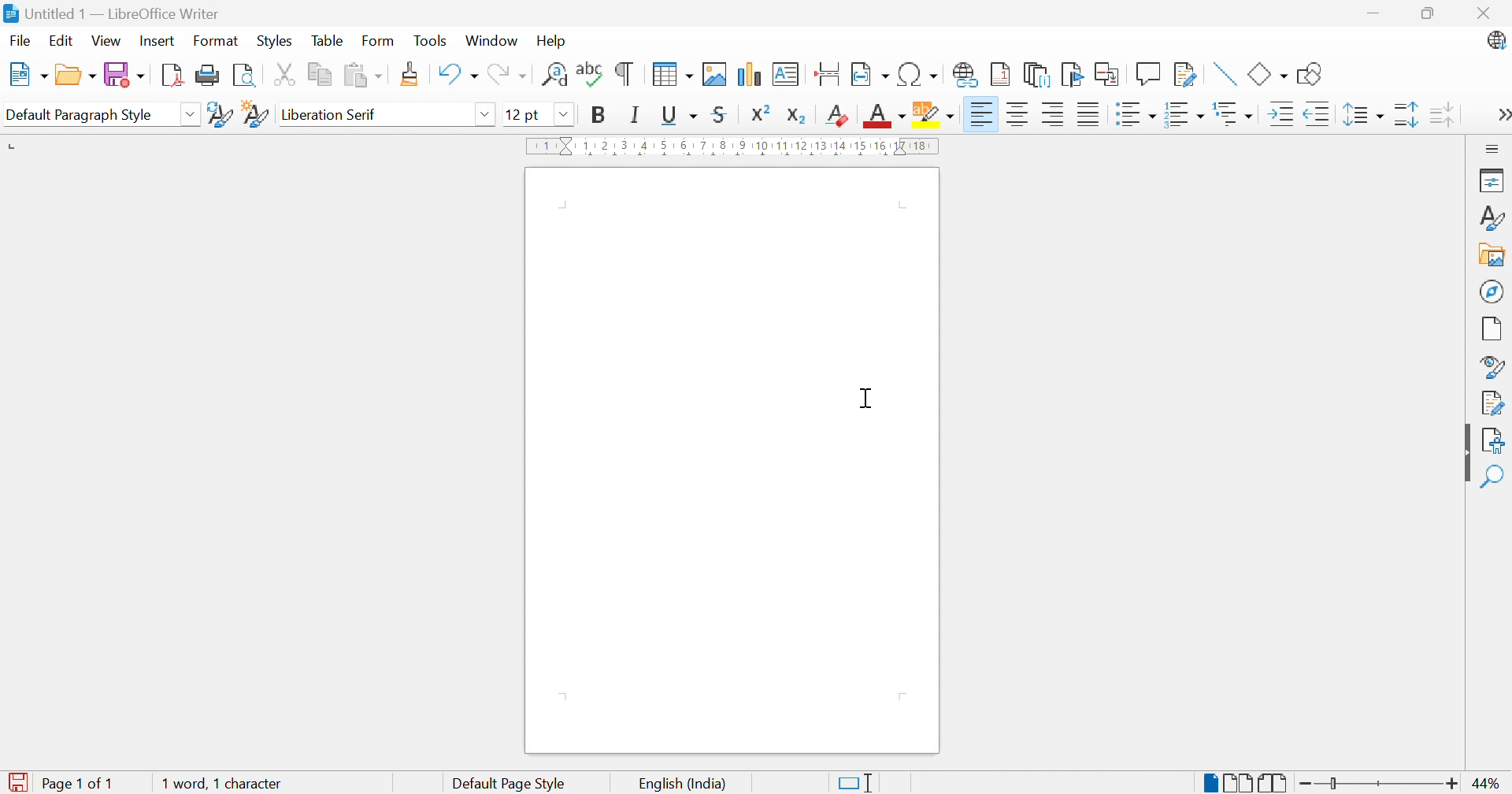 The image size is (1512, 794). What do you see at coordinates (750, 74) in the screenshot?
I see `Insert chart` at bounding box center [750, 74].